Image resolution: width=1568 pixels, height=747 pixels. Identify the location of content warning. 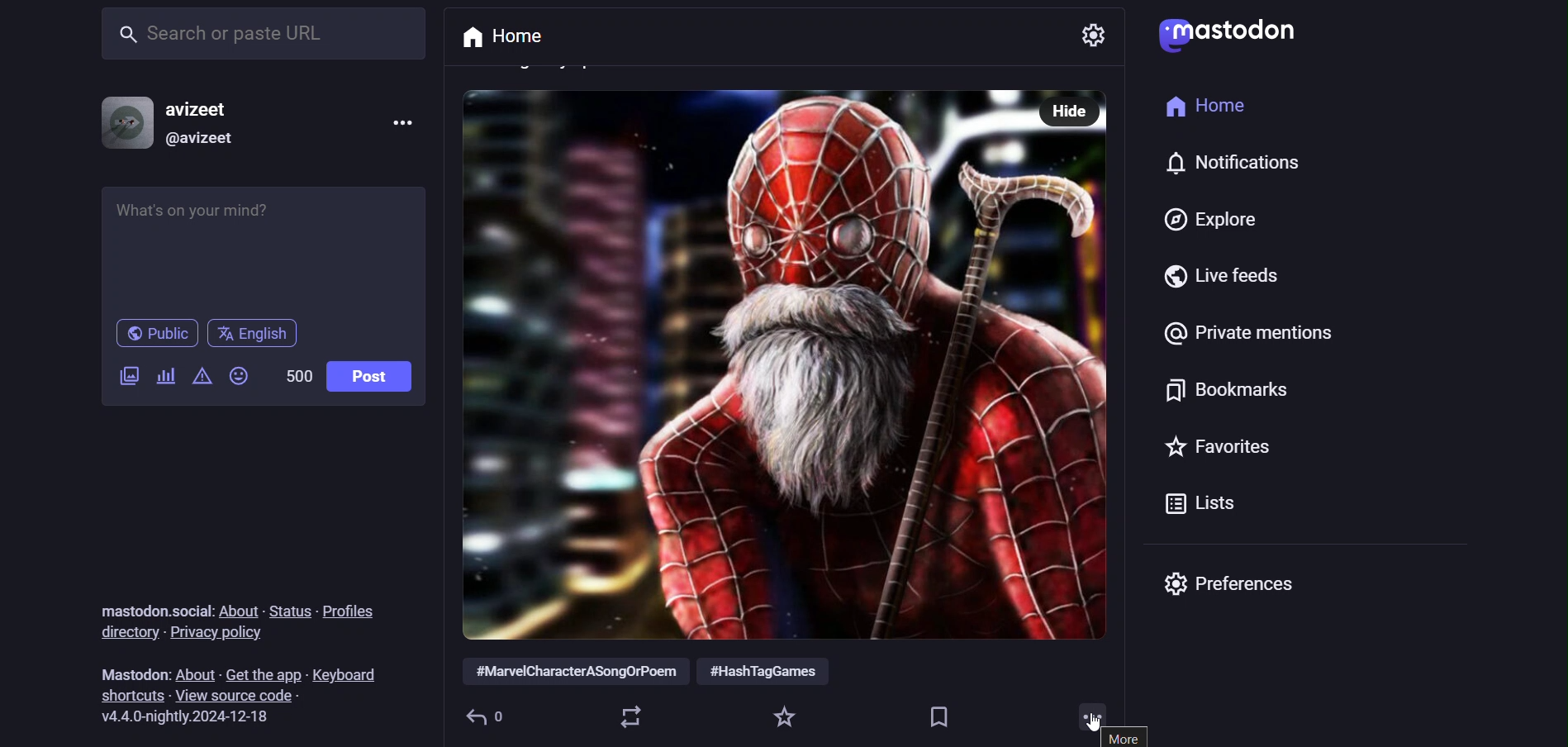
(202, 378).